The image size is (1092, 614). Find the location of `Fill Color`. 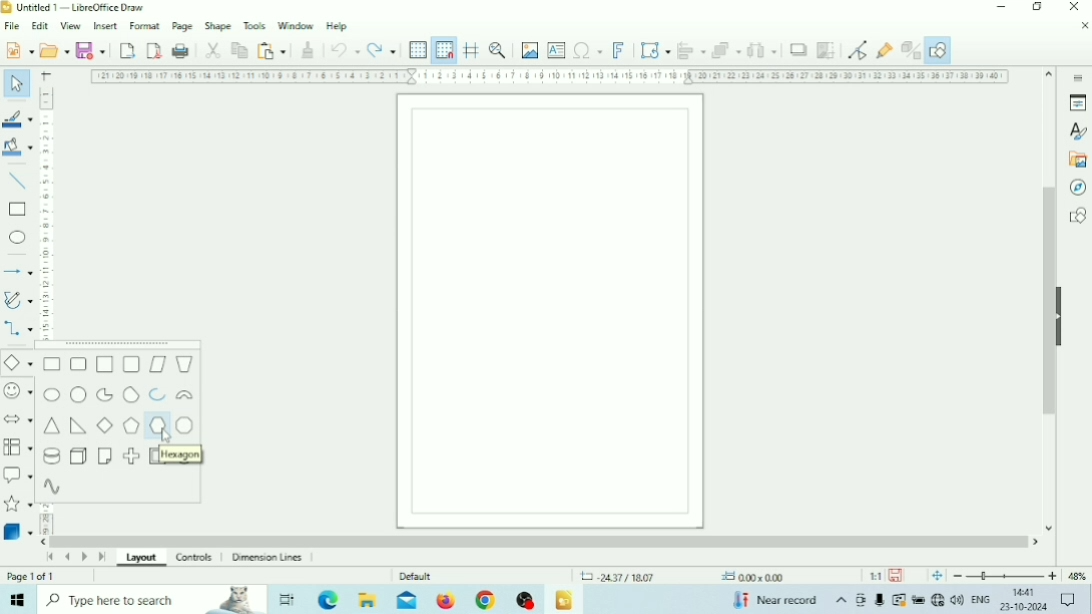

Fill Color is located at coordinates (17, 146).